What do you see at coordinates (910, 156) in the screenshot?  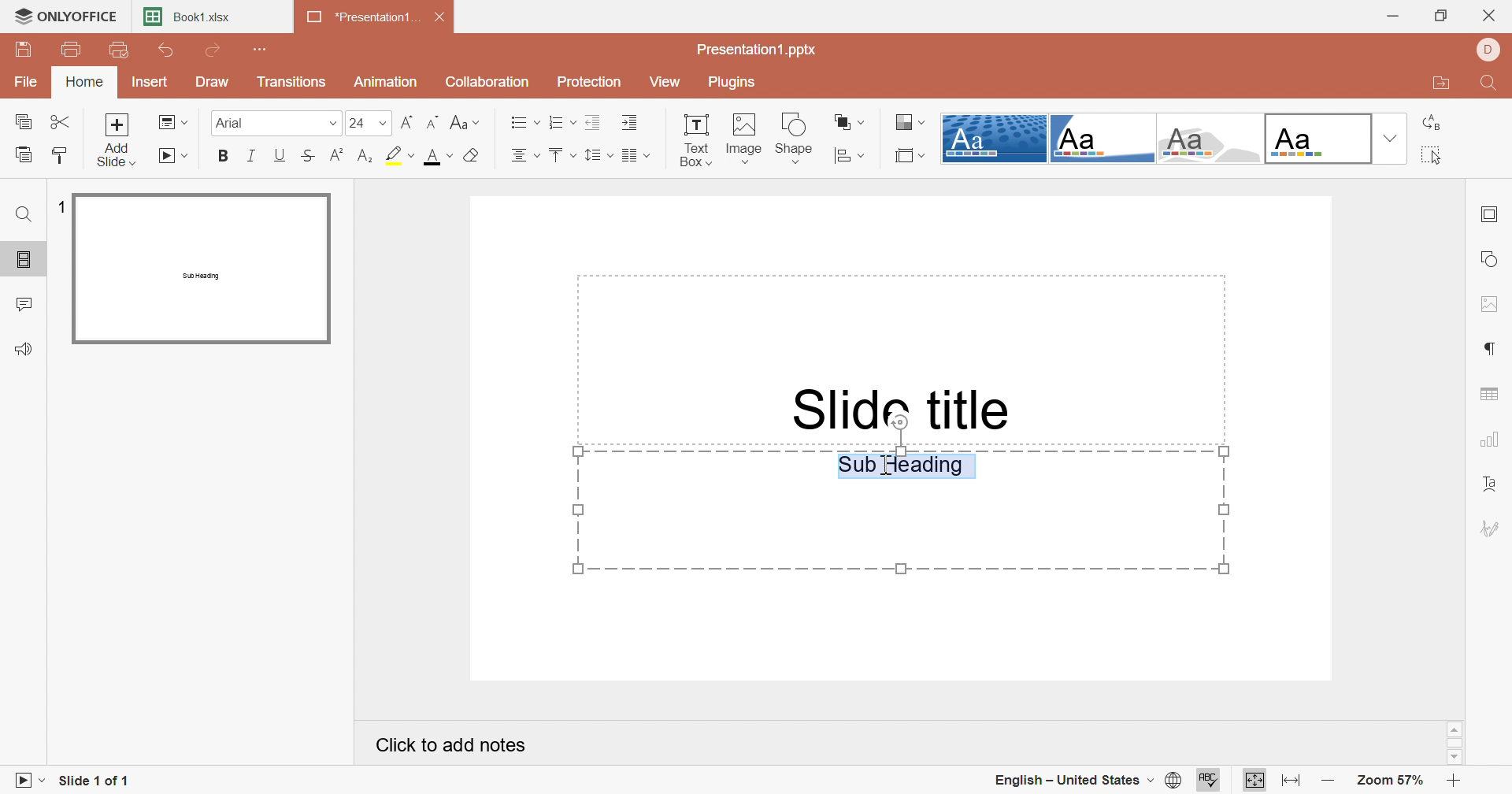 I see `Select slide size` at bounding box center [910, 156].